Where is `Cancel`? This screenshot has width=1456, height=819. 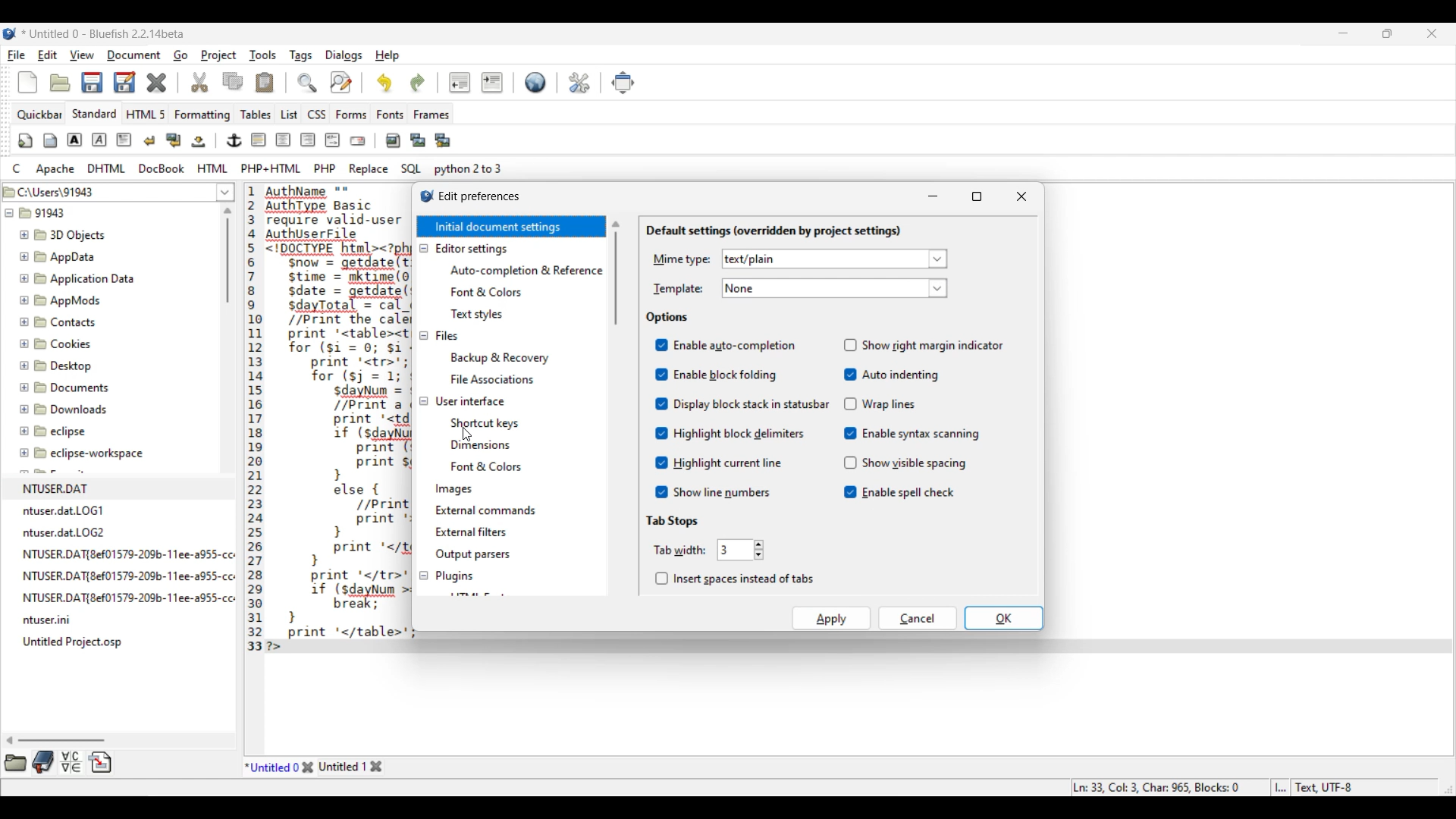
Cancel is located at coordinates (918, 618).